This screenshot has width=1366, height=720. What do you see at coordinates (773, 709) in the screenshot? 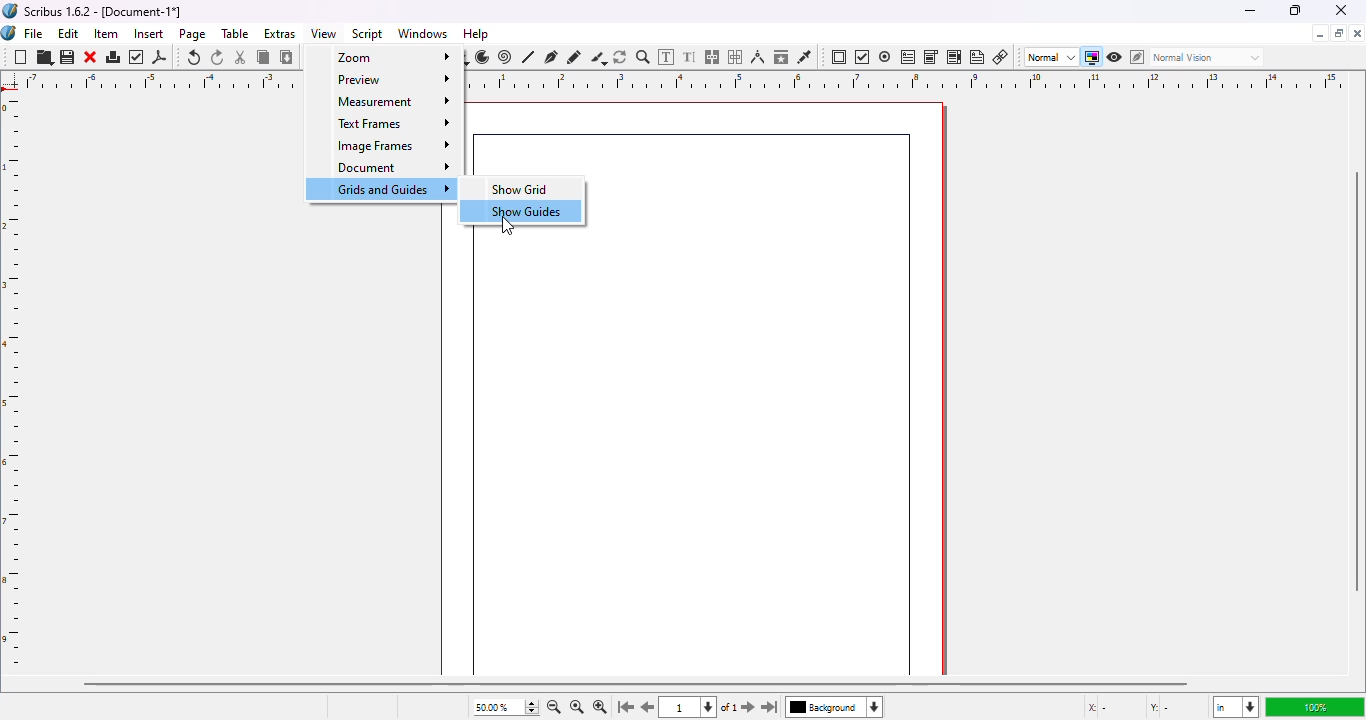
I see `go to the last page` at bounding box center [773, 709].